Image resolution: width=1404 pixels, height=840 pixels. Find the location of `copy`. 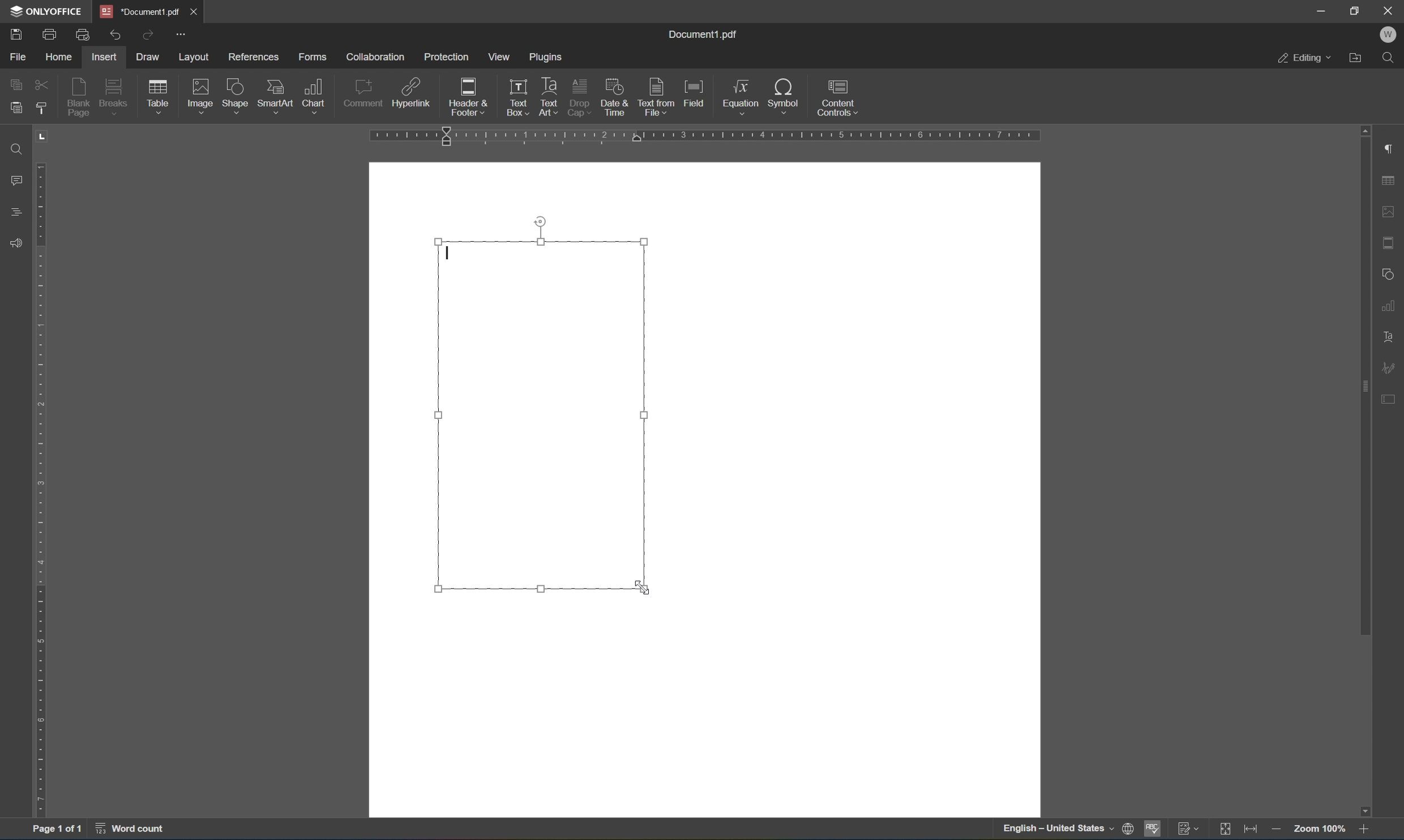

copy is located at coordinates (16, 84).